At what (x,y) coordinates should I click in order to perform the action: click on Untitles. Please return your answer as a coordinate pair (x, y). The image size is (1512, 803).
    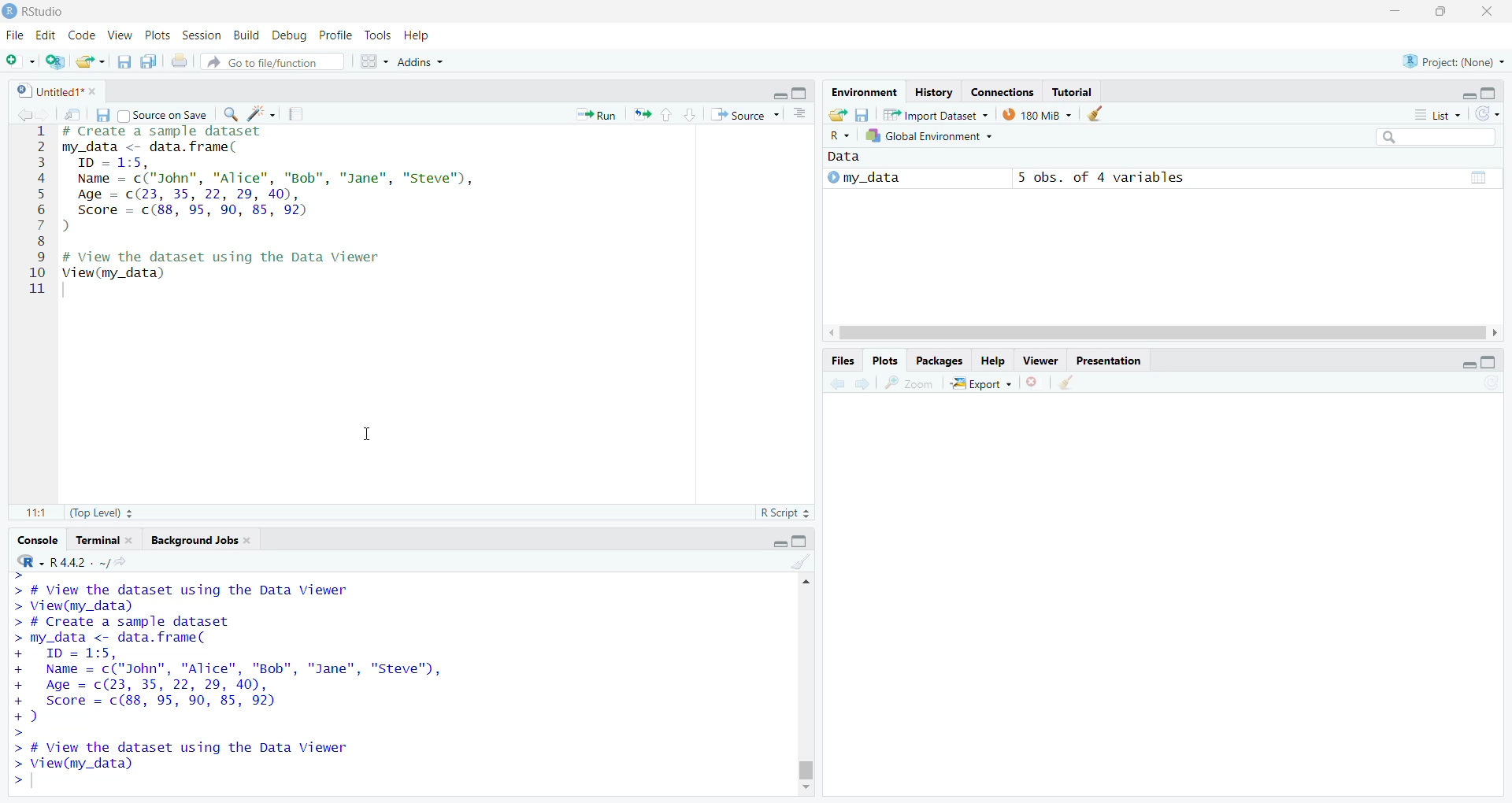
    Looking at the image, I should click on (55, 91).